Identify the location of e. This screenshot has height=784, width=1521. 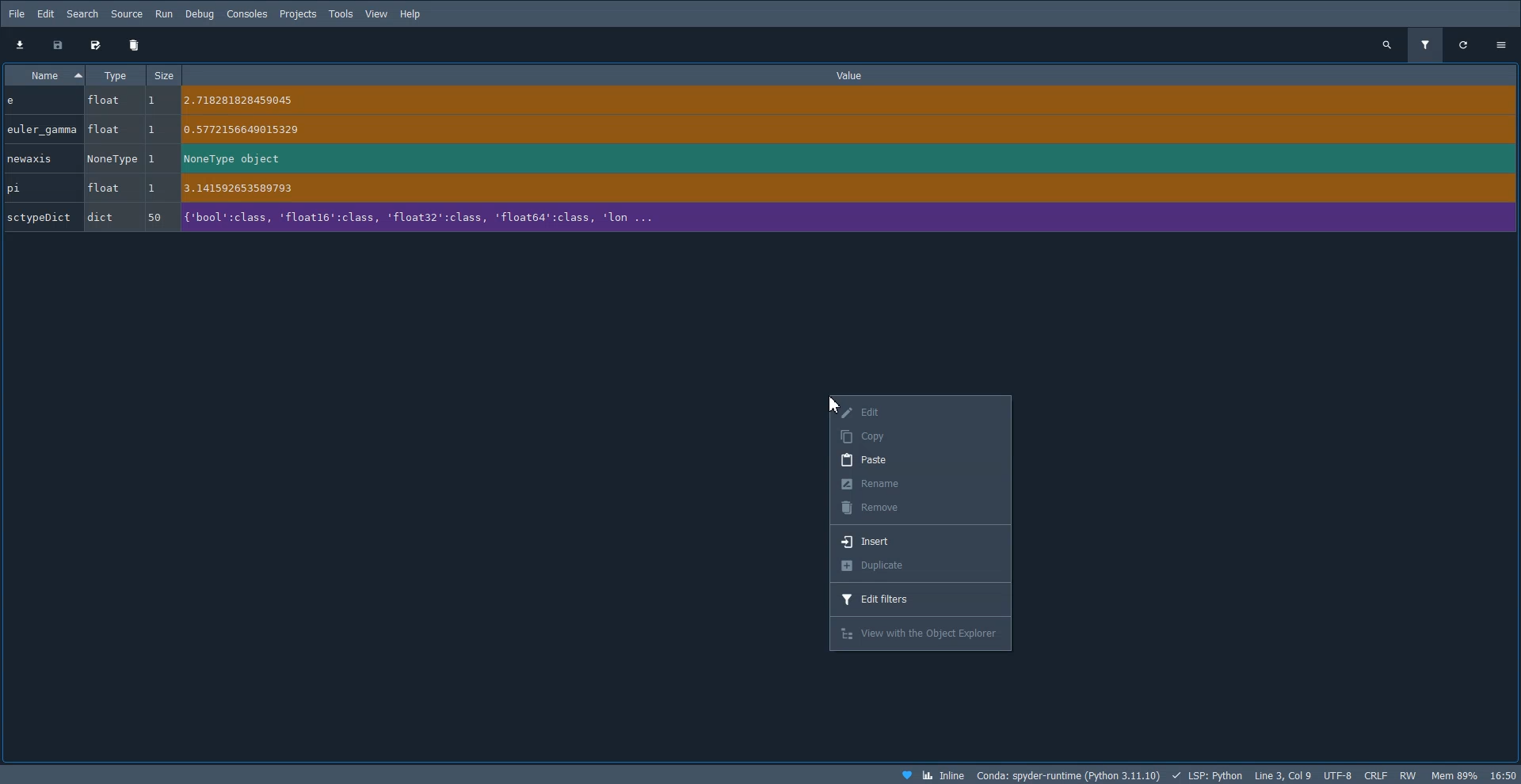
(13, 100).